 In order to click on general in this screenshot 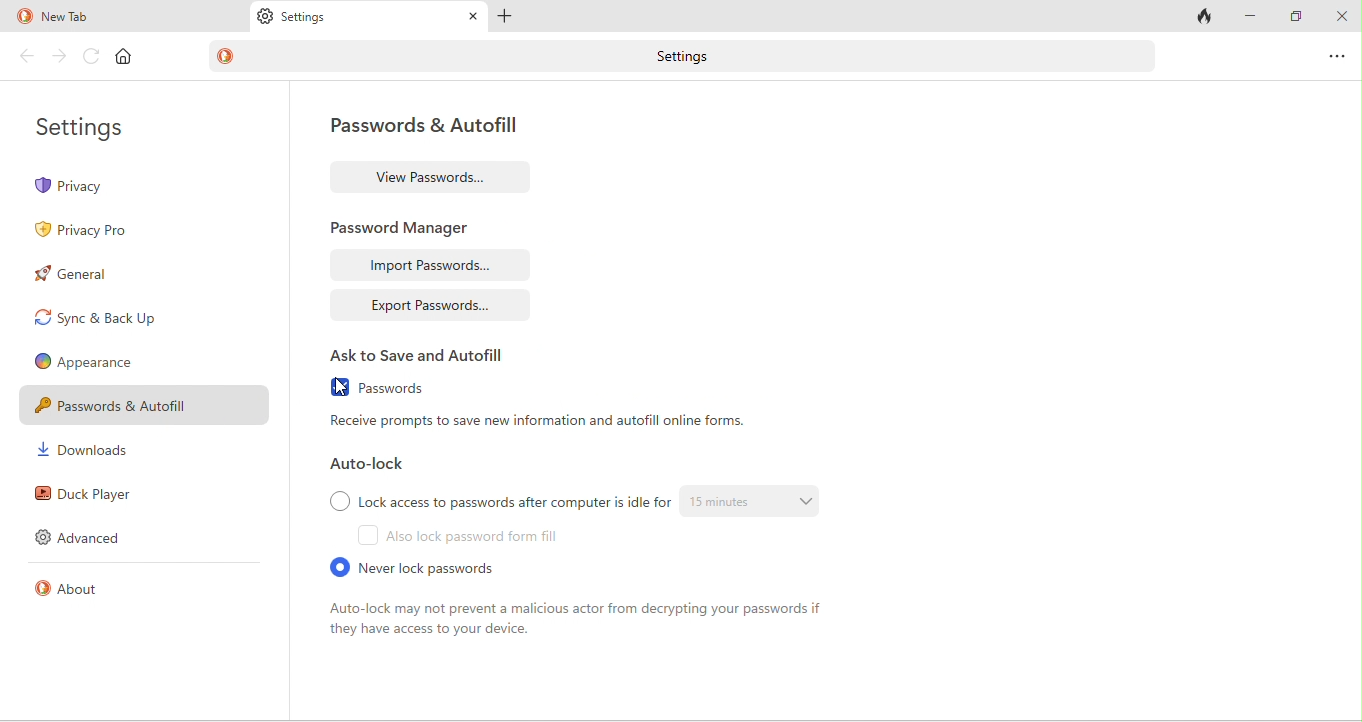, I will do `click(97, 279)`.